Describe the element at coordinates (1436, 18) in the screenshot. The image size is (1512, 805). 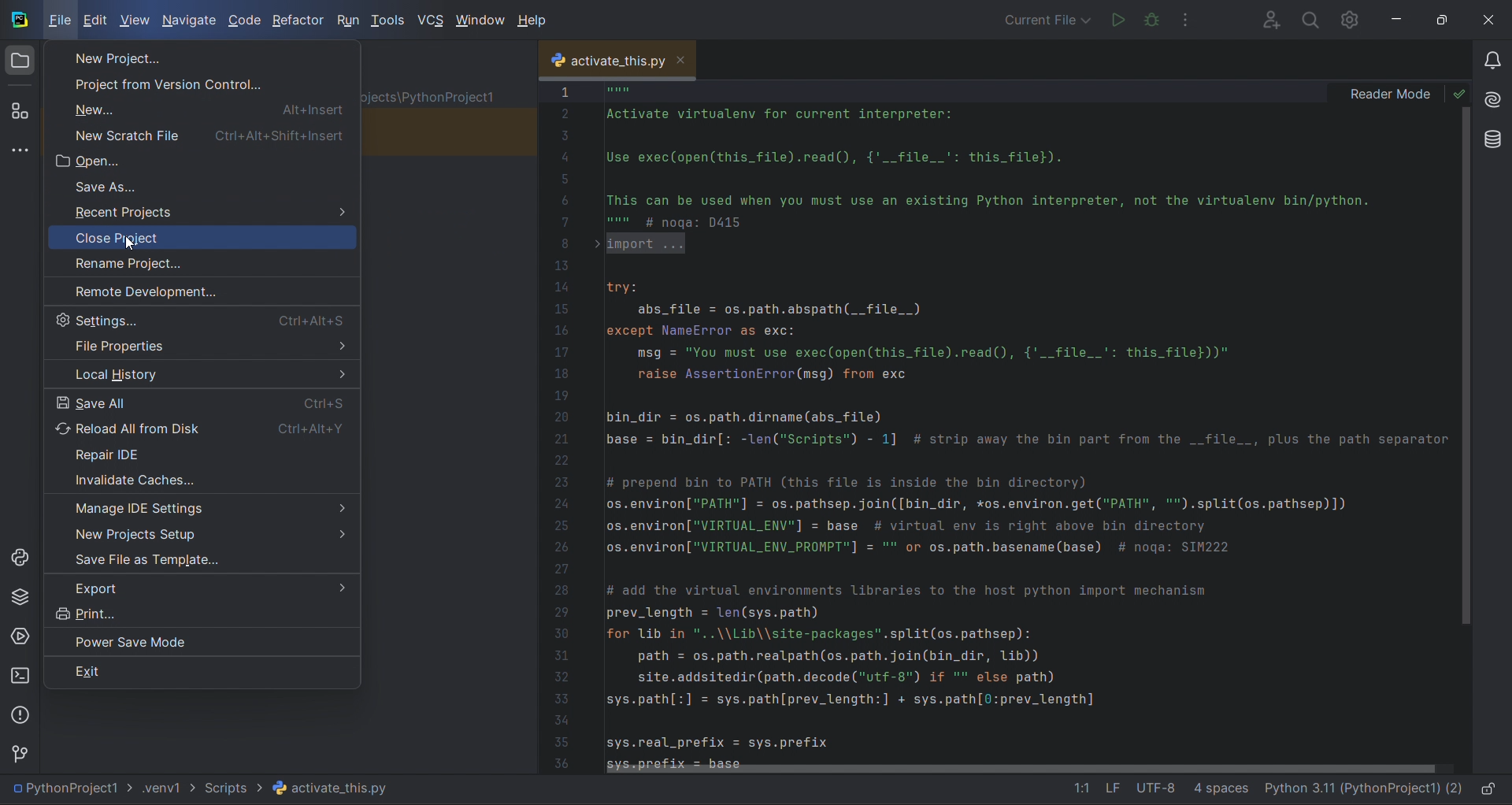
I see `maximize` at that location.